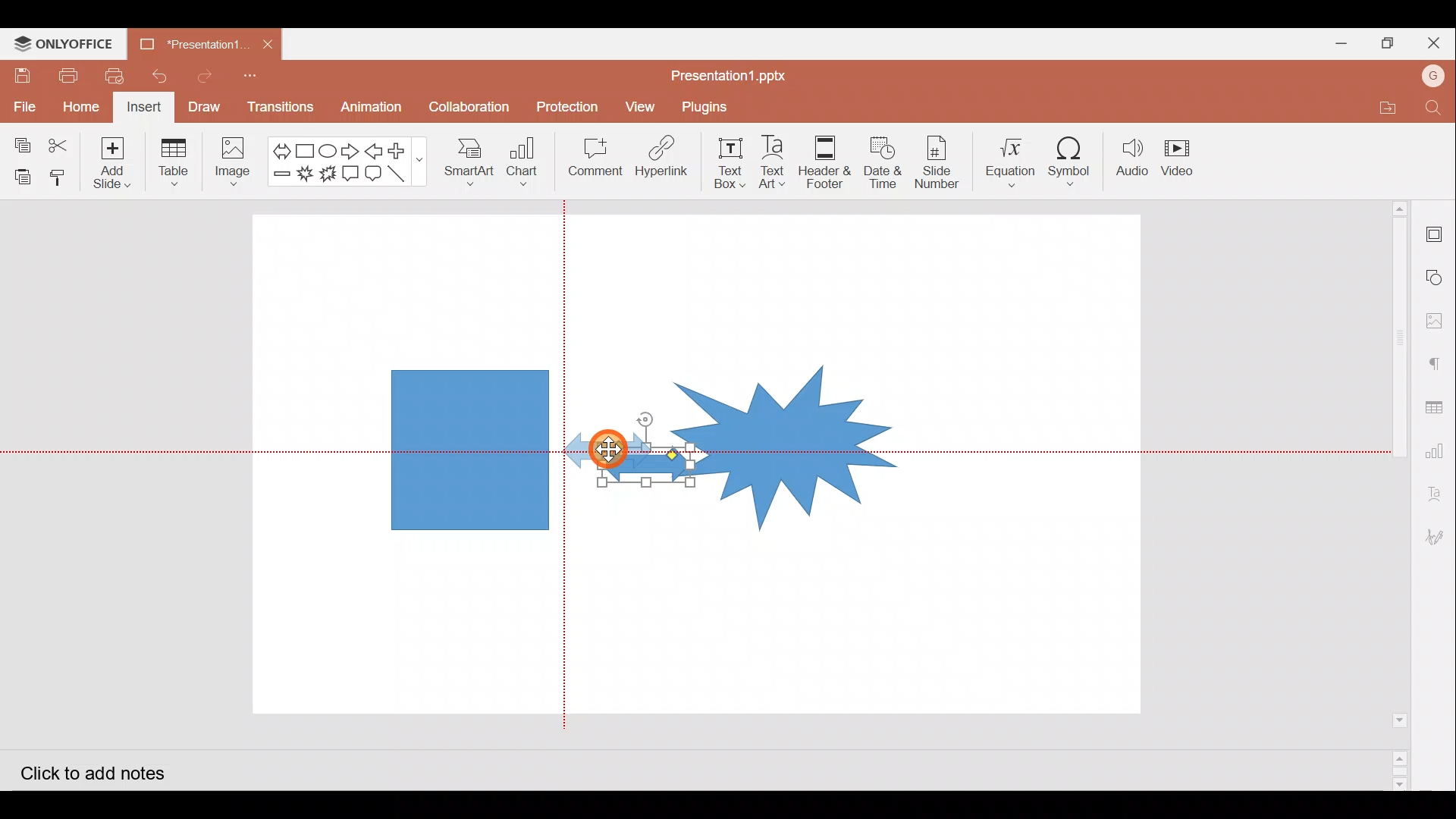  Describe the element at coordinates (19, 140) in the screenshot. I see `Copy` at that location.